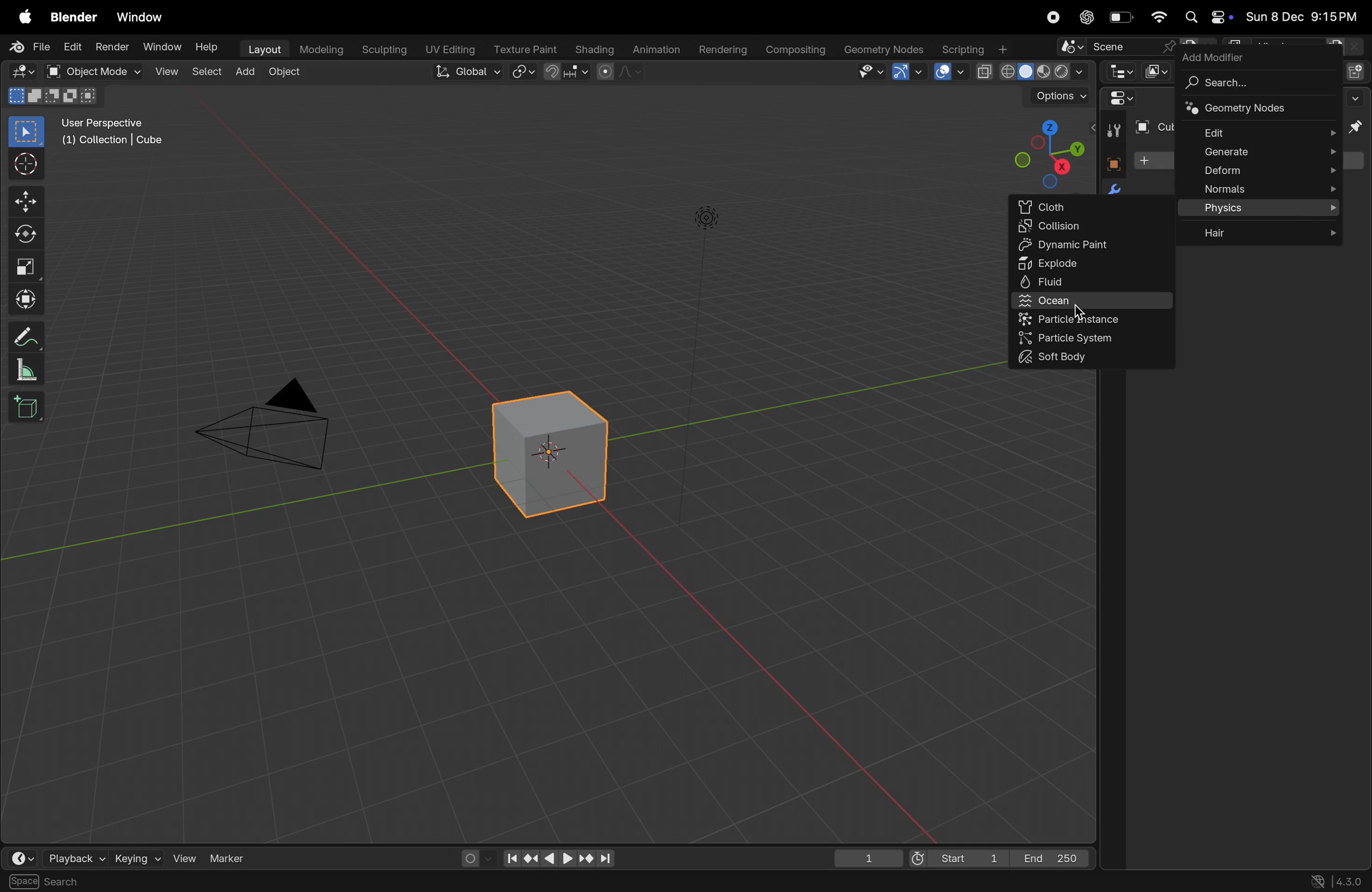 This screenshot has width=1372, height=892. Describe the element at coordinates (263, 48) in the screenshot. I see `layout` at that location.